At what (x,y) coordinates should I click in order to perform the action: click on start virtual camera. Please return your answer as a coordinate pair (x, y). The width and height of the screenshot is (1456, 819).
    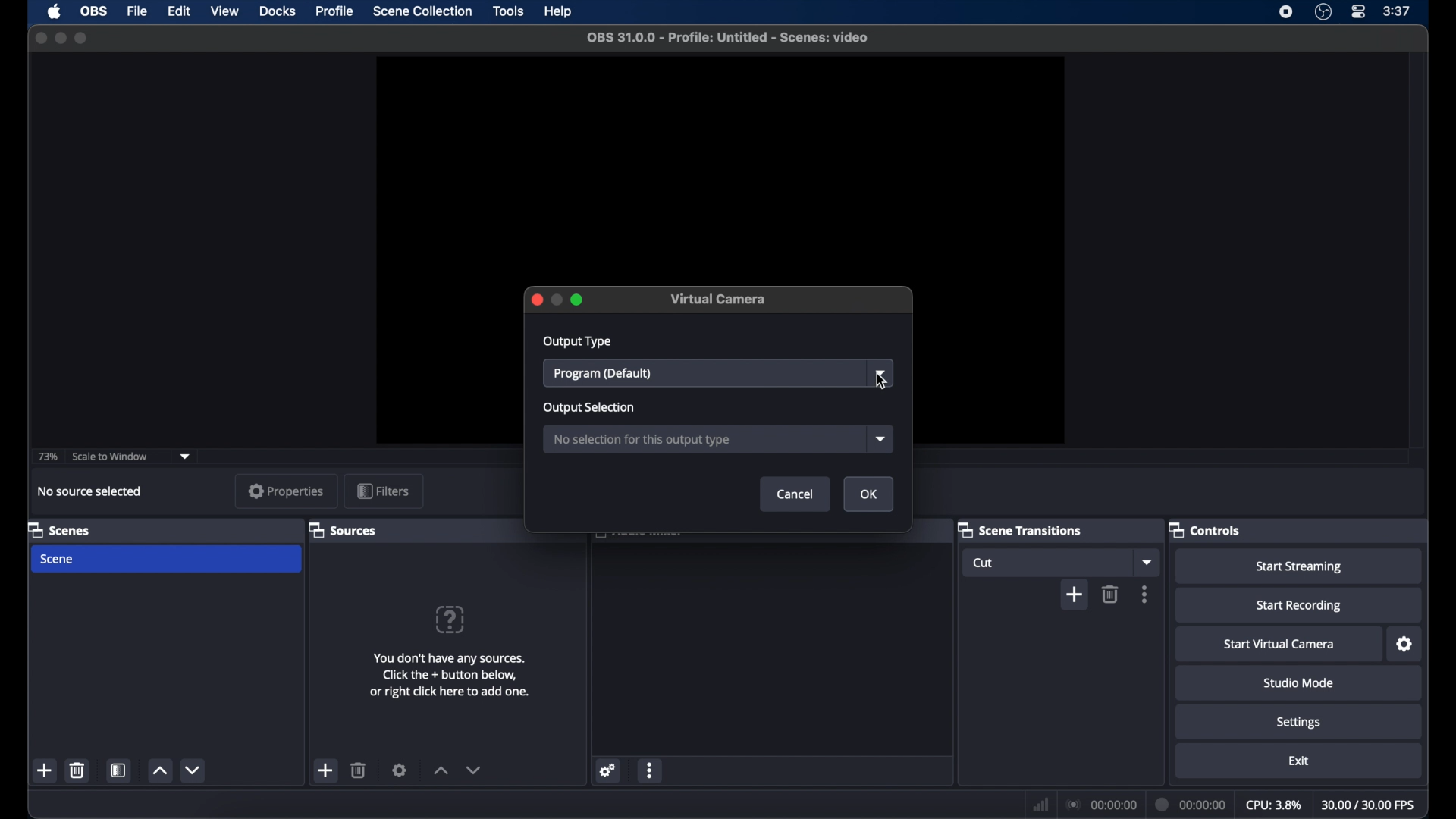
    Looking at the image, I should click on (1279, 645).